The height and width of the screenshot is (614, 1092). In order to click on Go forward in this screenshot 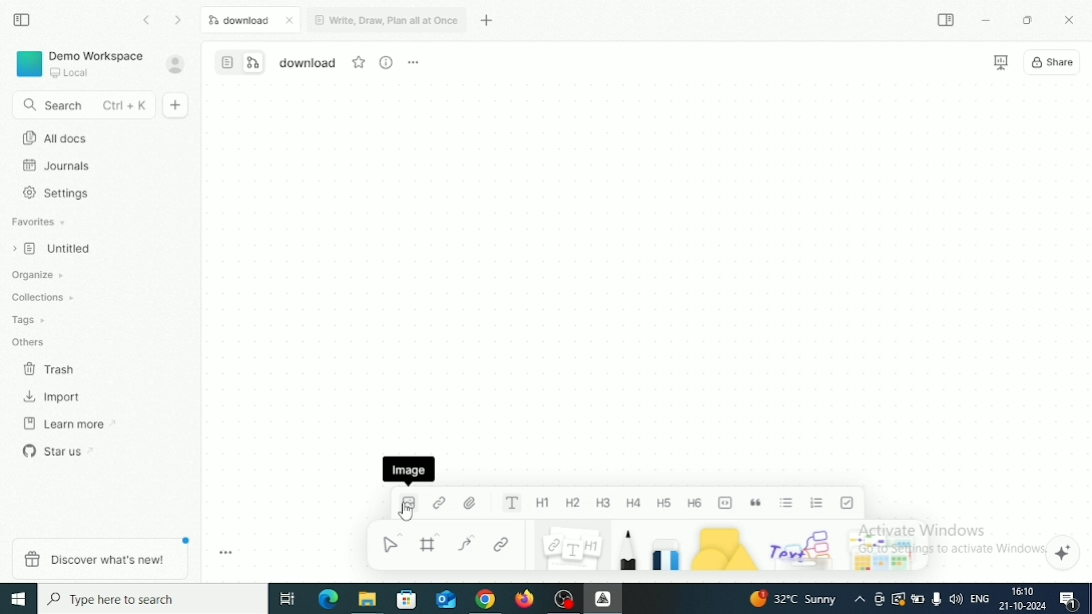, I will do `click(179, 21)`.